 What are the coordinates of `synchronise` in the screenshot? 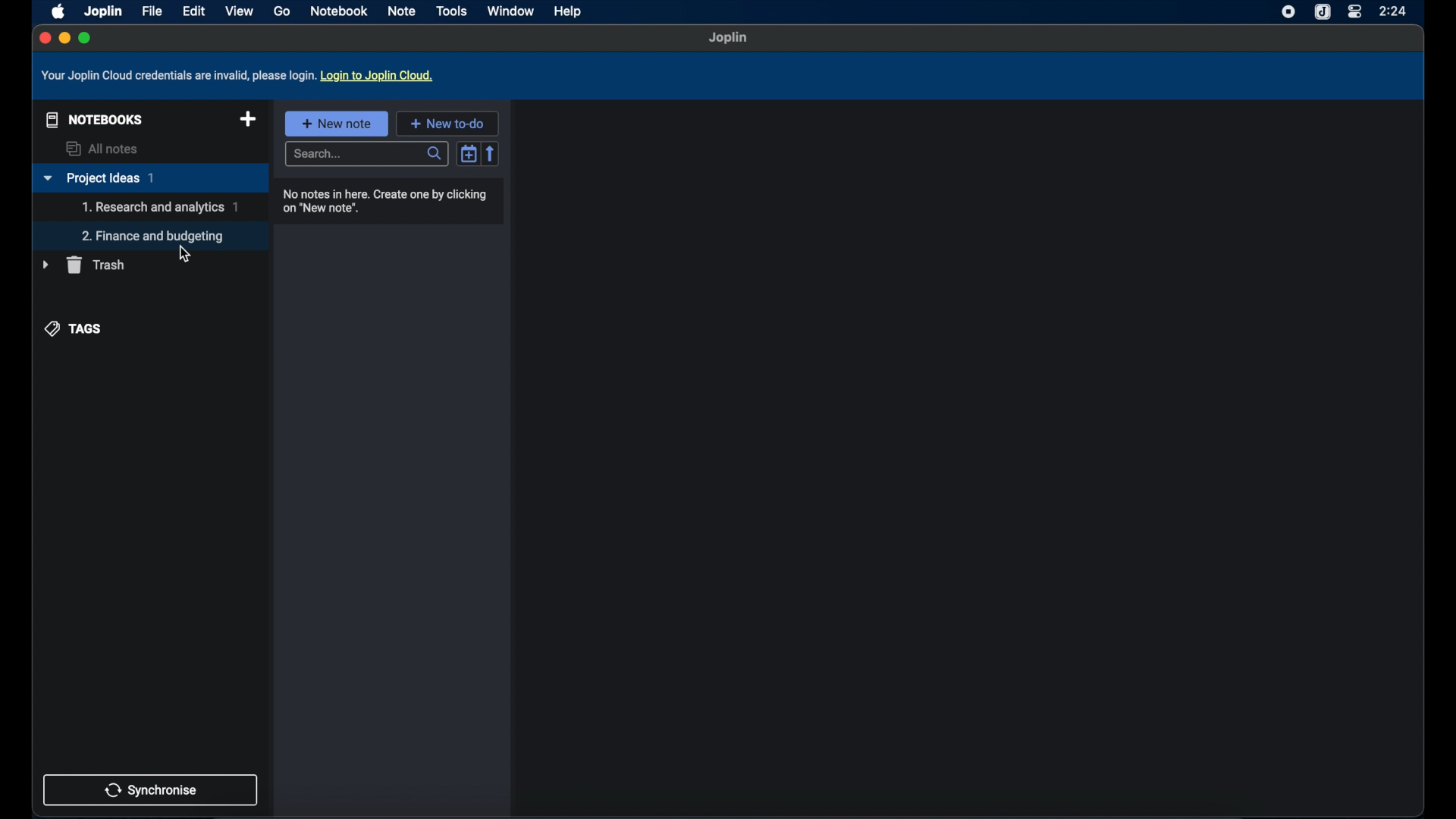 It's located at (151, 789).